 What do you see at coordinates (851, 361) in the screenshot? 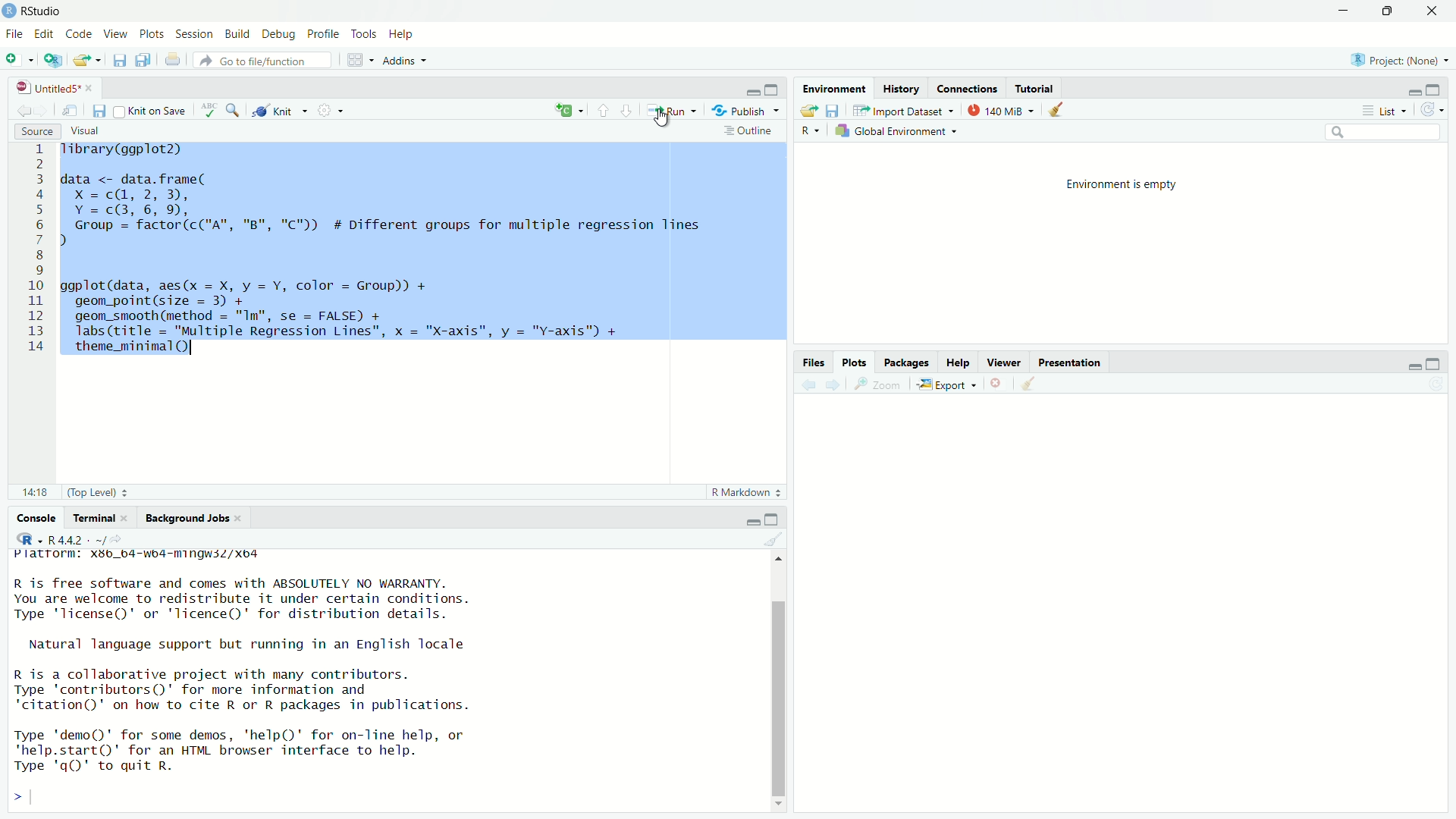
I see `Plots` at bounding box center [851, 361].